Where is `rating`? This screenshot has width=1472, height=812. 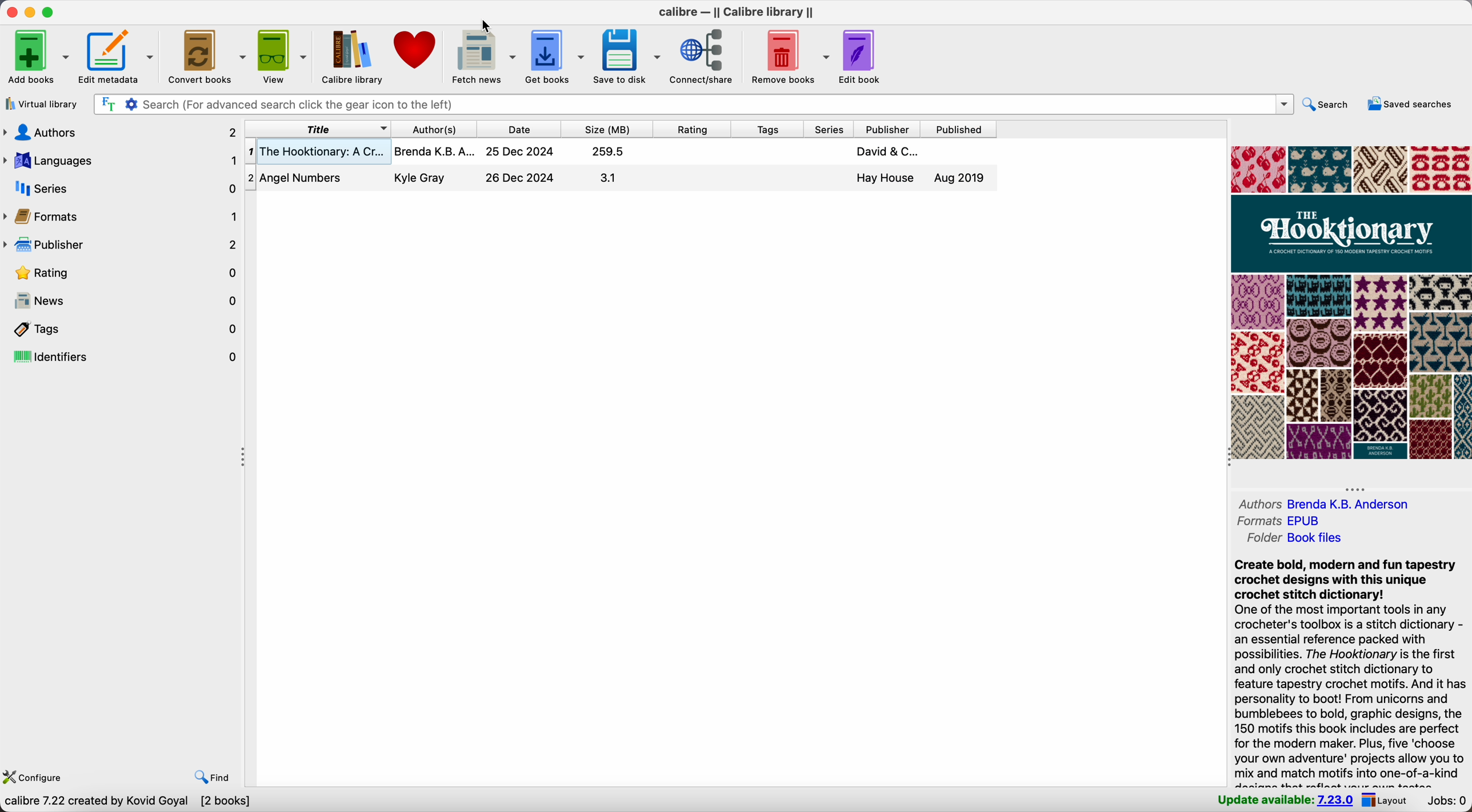
rating is located at coordinates (692, 129).